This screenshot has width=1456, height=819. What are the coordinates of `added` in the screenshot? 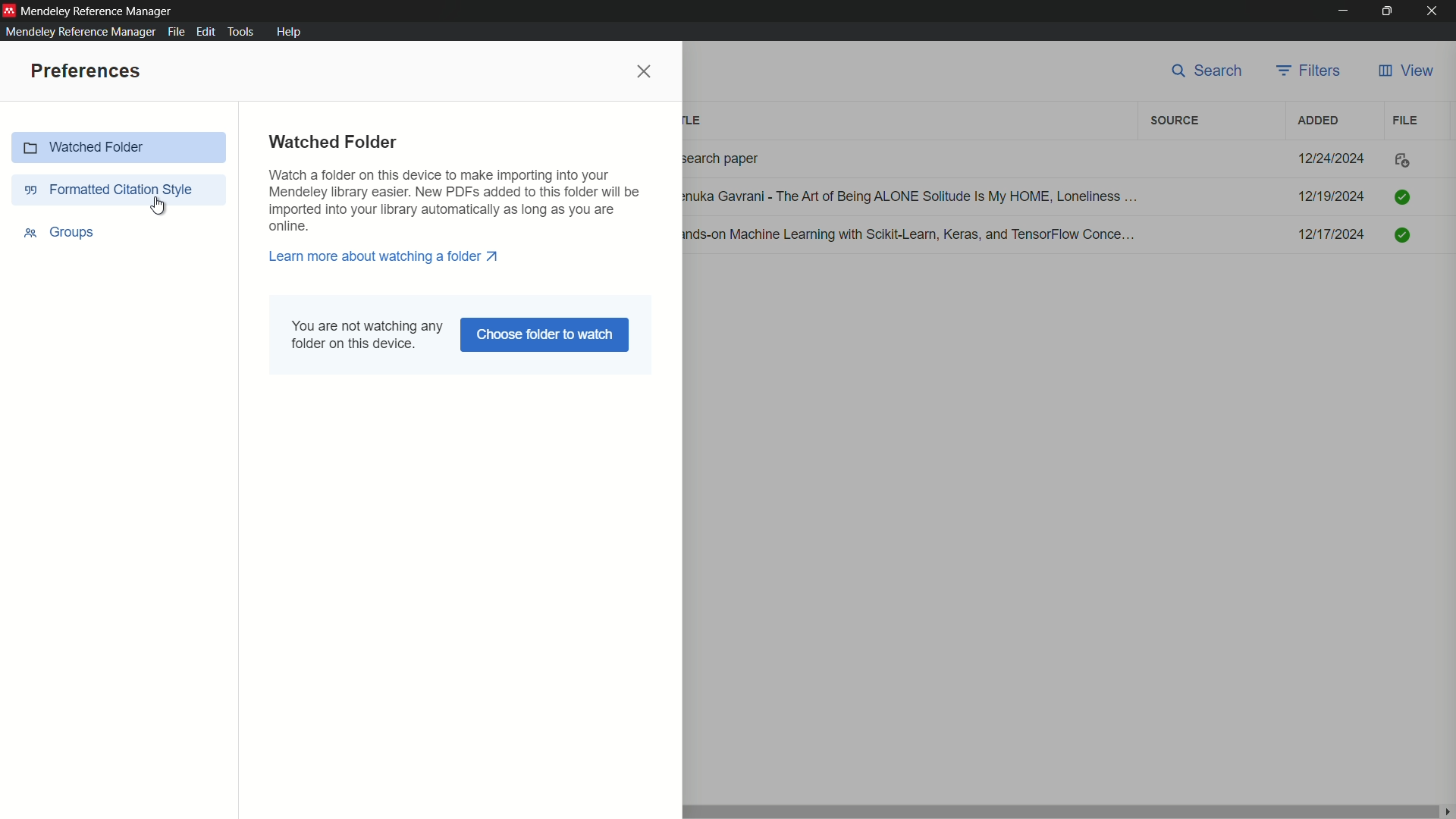 It's located at (1316, 120).